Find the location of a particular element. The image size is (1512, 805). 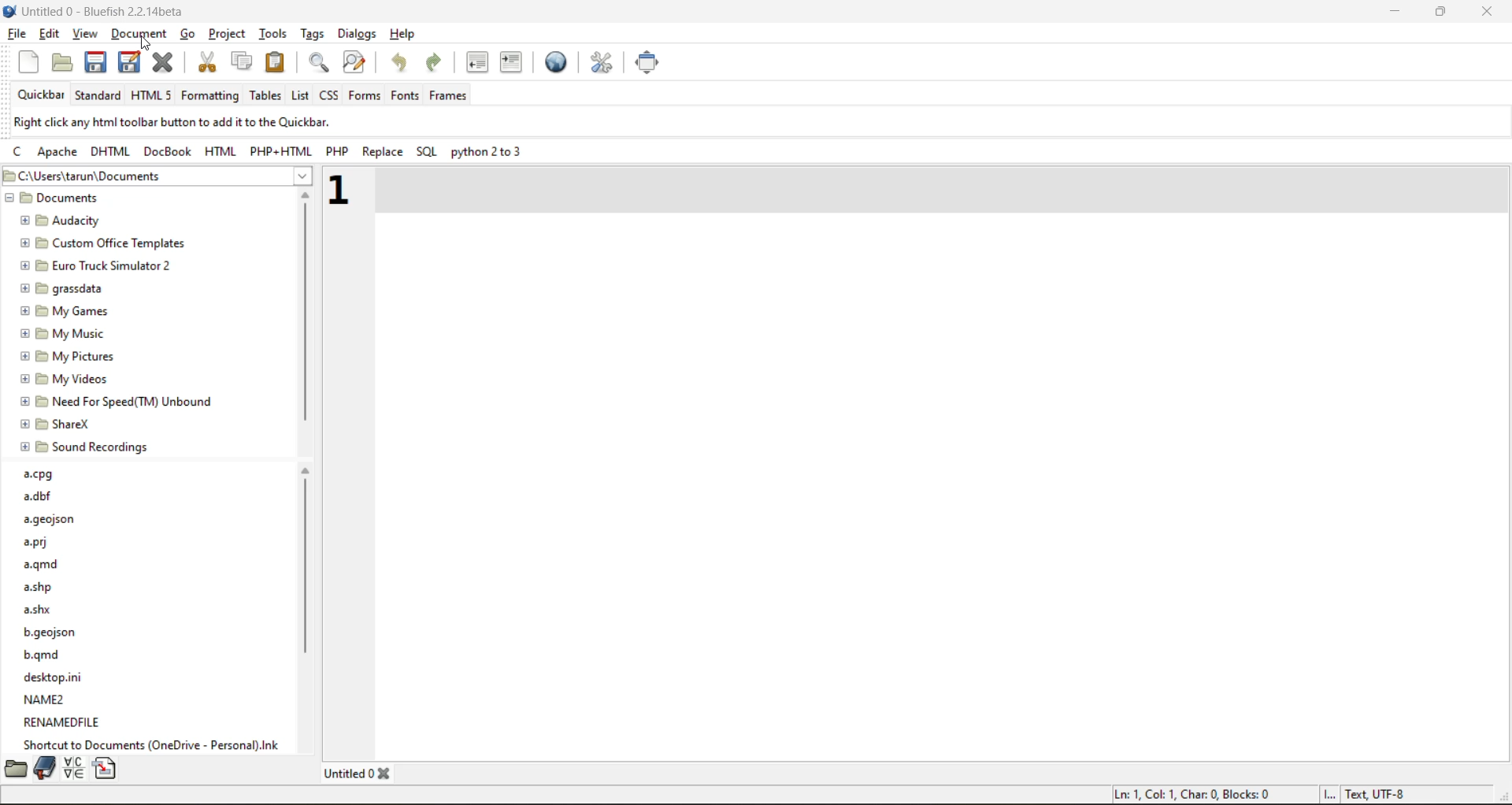

cursor is located at coordinates (145, 44).